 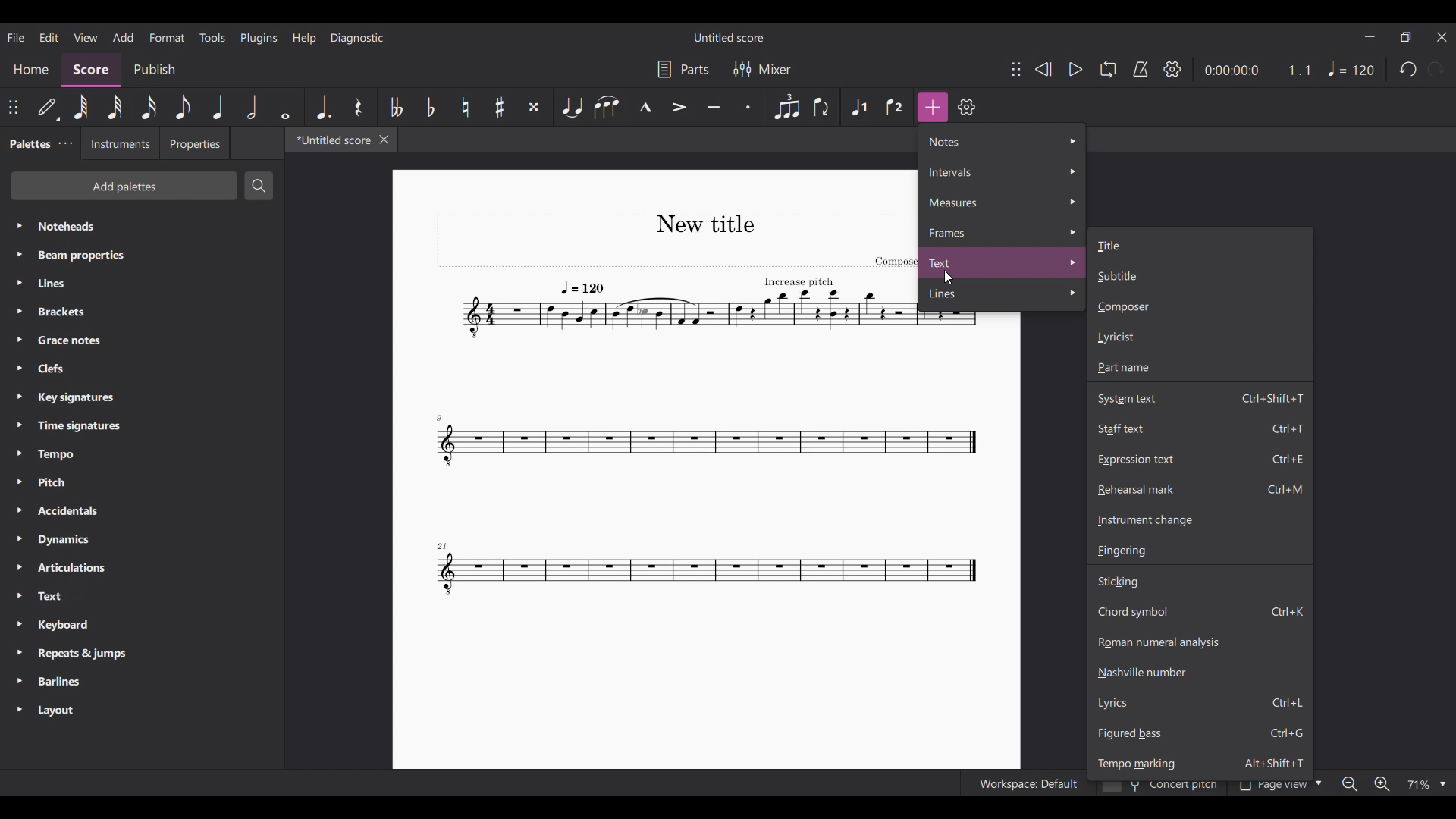 What do you see at coordinates (762, 70) in the screenshot?
I see `Mixer settings` at bounding box center [762, 70].